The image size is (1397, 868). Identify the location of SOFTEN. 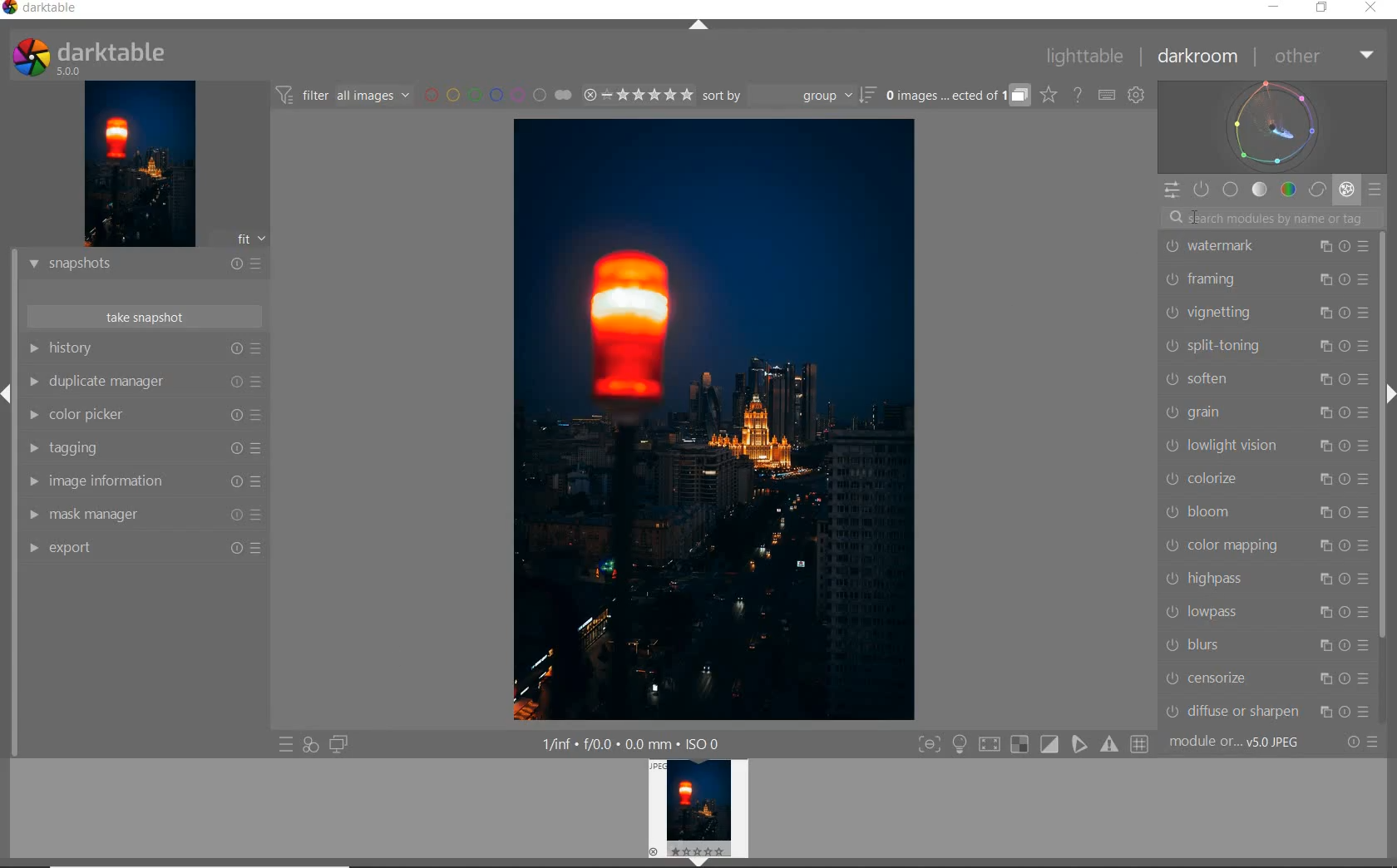
(1213, 378).